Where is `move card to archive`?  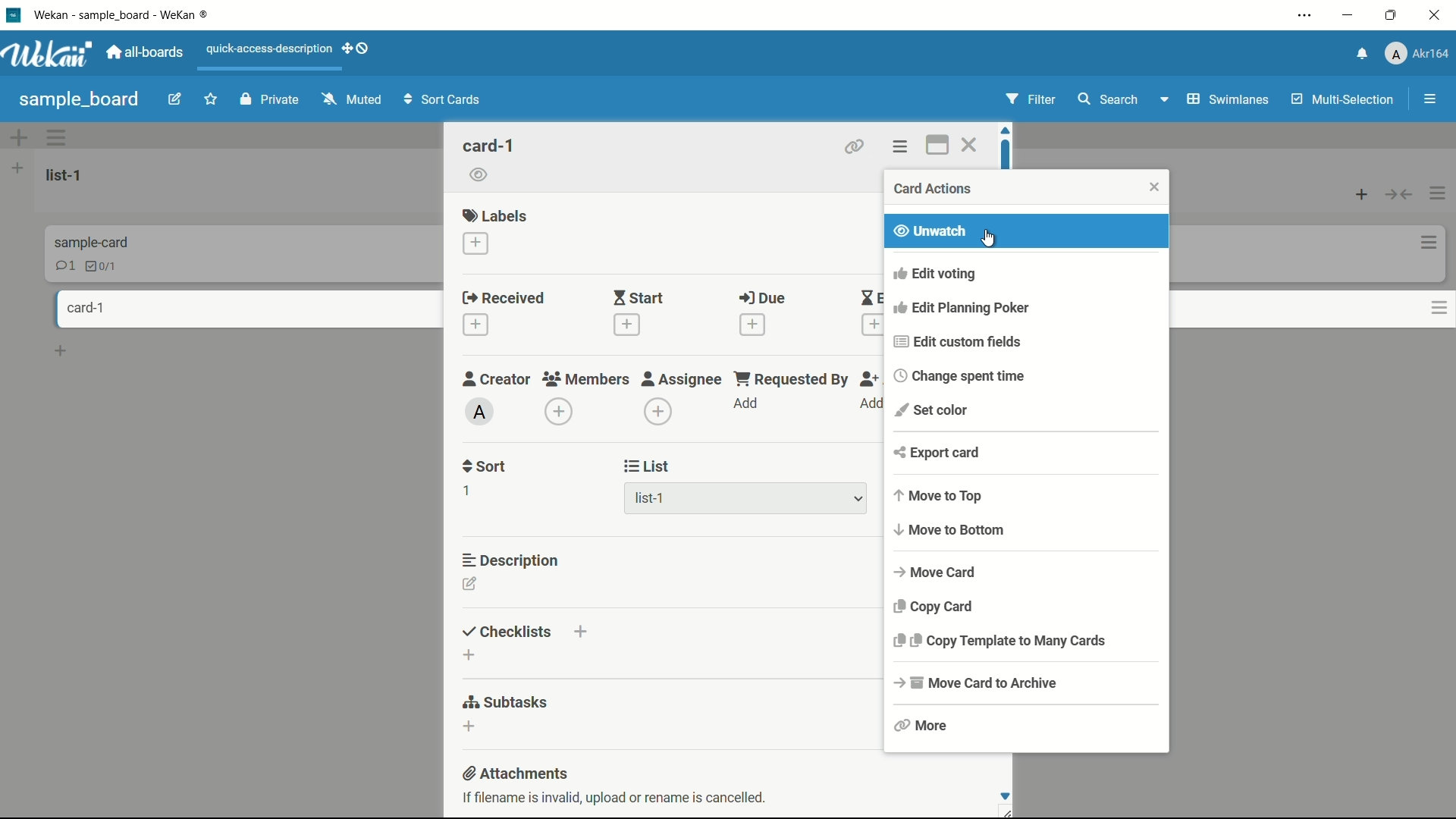 move card to archive is located at coordinates (975, 683).